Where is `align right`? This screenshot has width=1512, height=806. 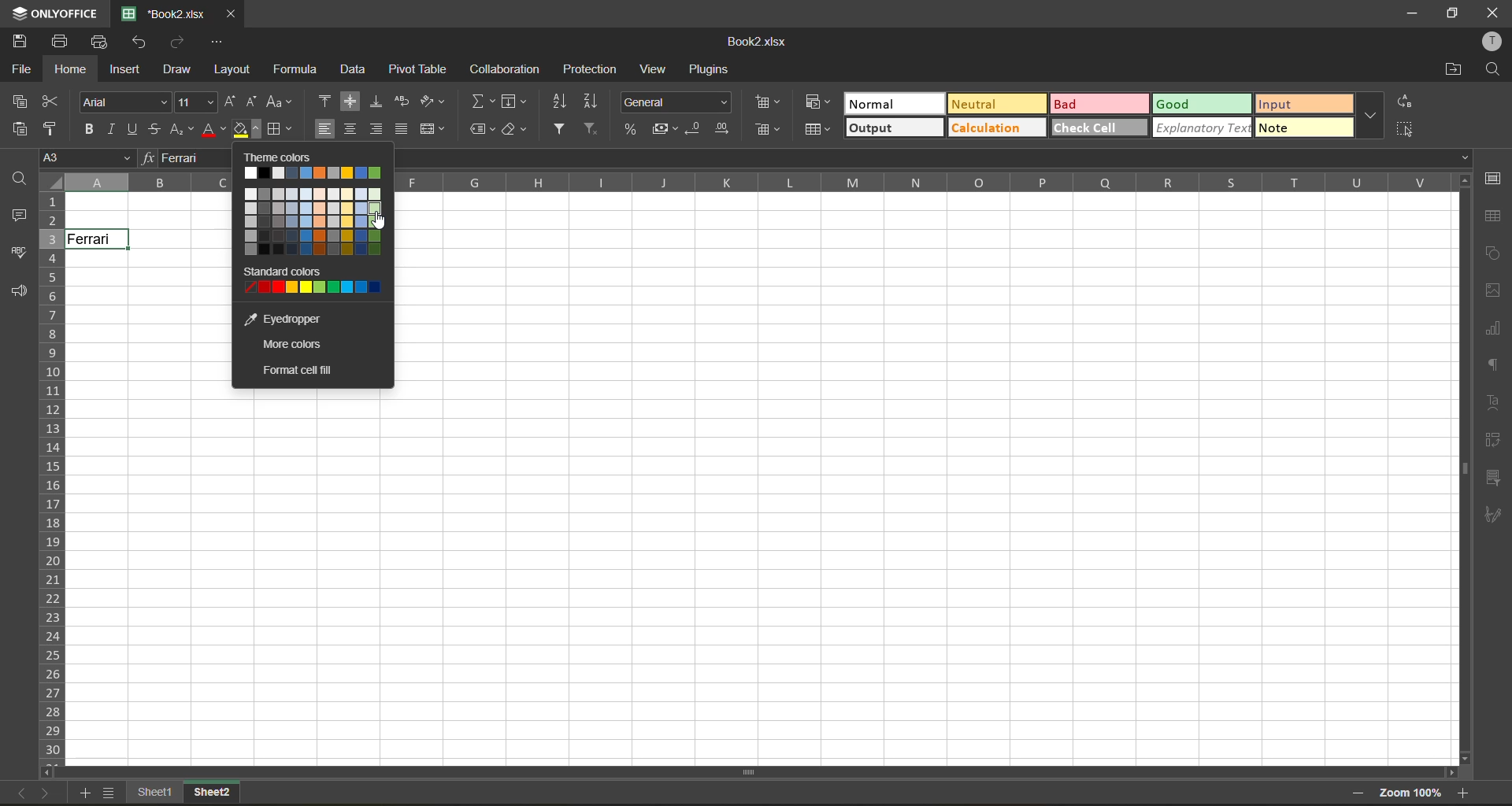
align right is located at coordinates (375, 128).